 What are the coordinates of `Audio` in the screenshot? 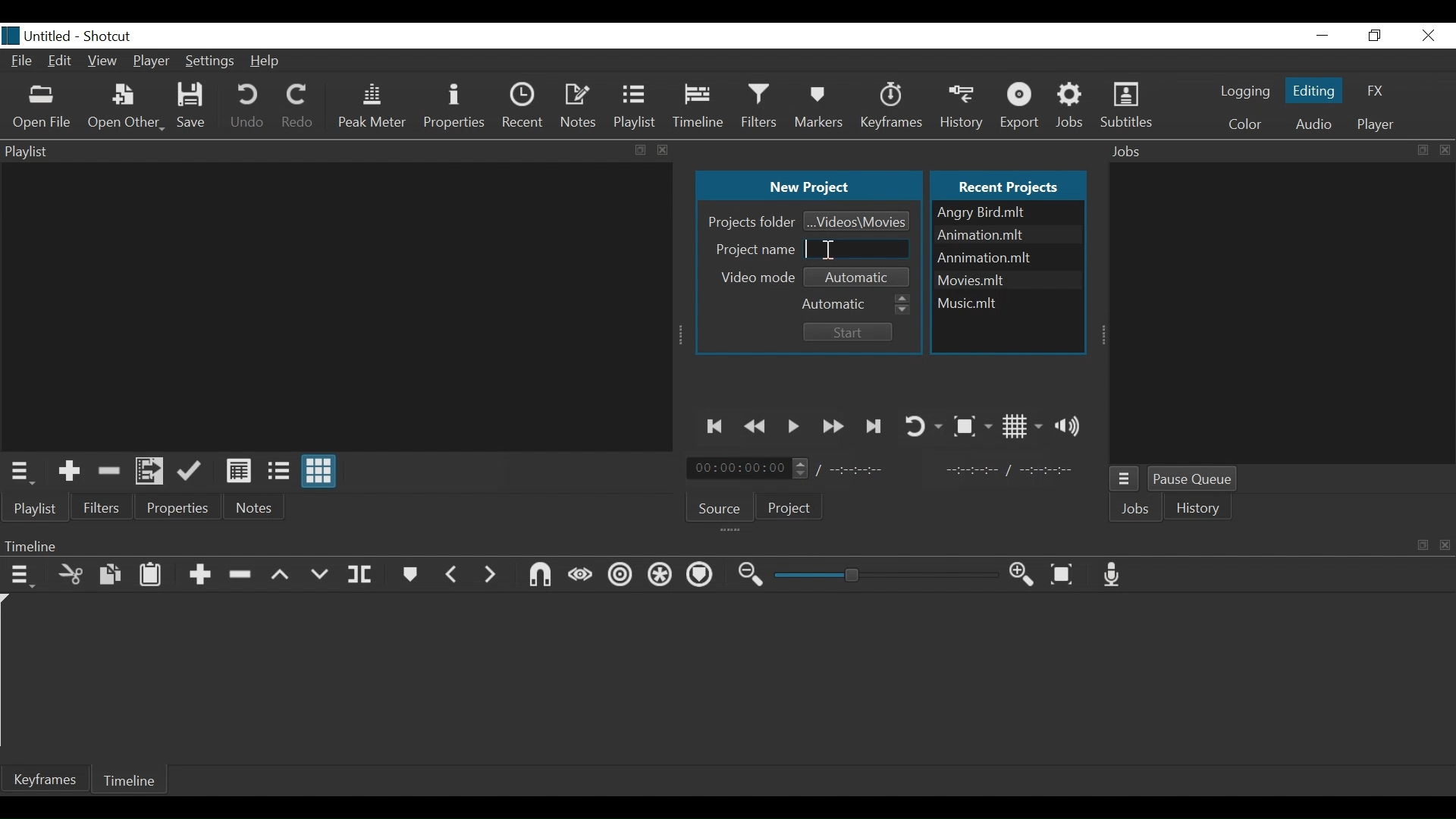 It's located at (1313, 124).